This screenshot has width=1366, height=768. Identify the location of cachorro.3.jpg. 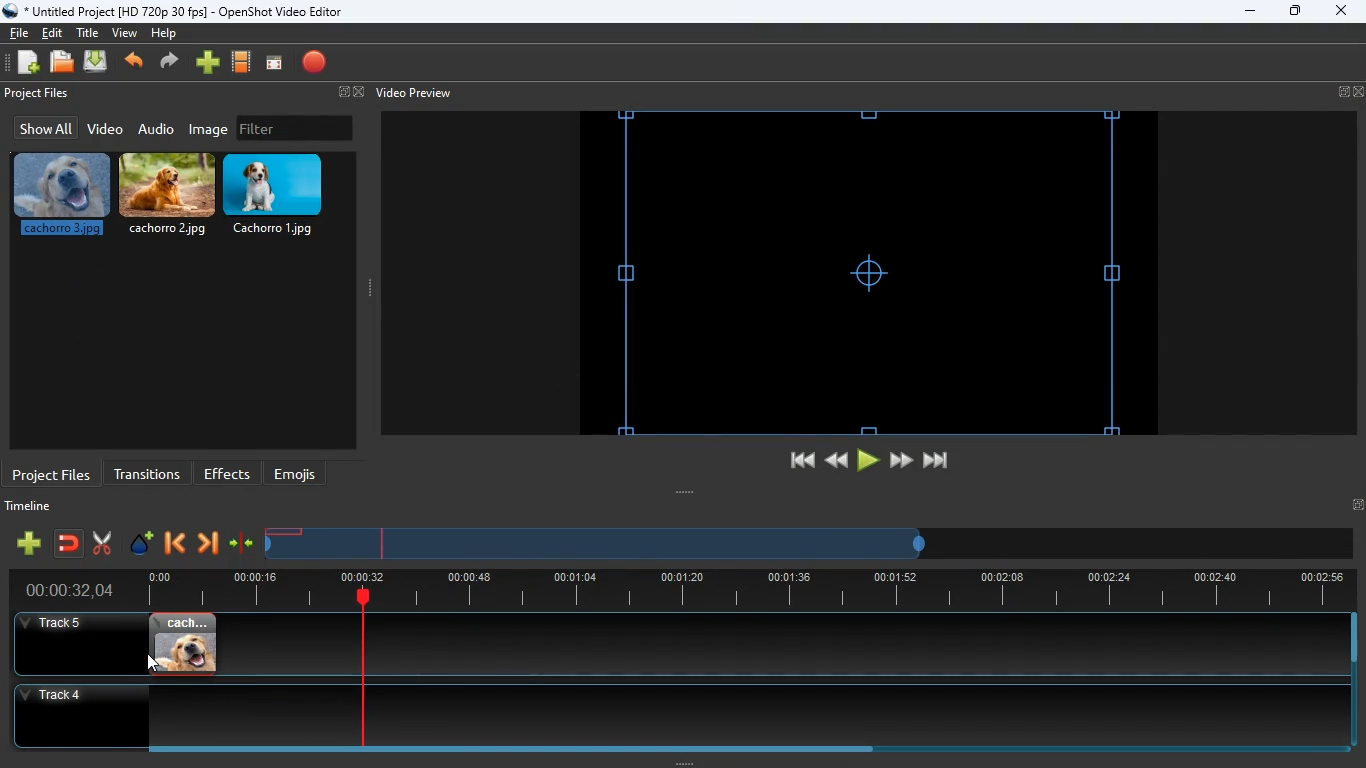
(59, 194).